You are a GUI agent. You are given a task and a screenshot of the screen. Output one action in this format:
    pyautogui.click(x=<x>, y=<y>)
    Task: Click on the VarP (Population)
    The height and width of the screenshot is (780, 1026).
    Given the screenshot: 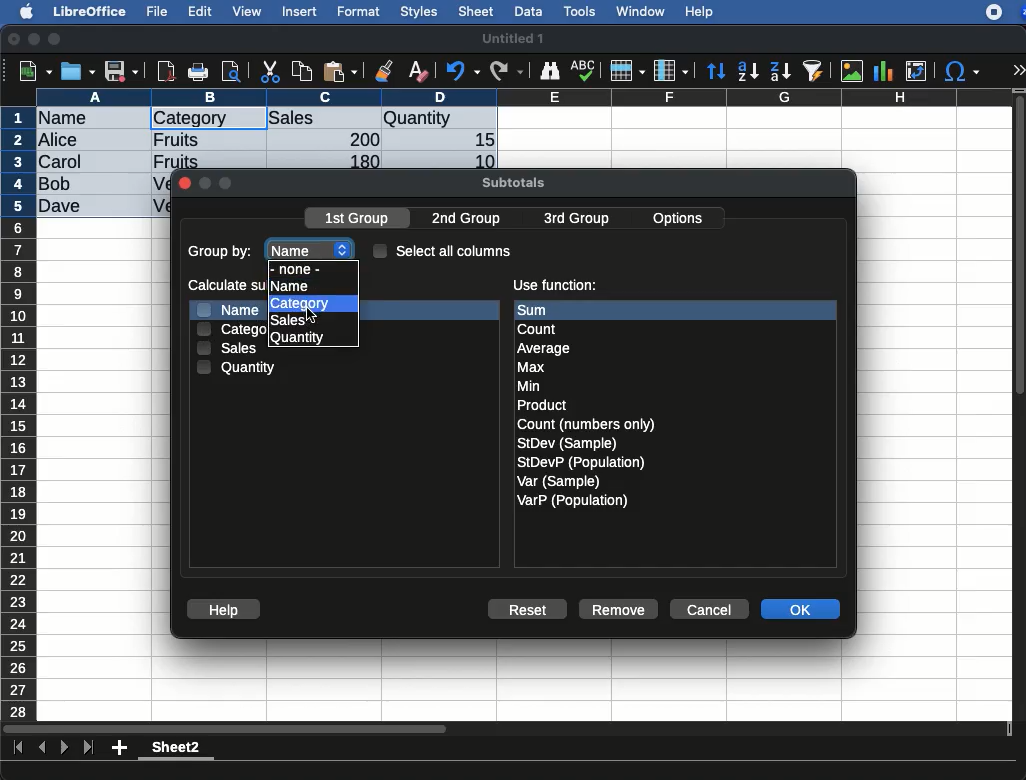 What is the action you would take?
    pyautogui.click(x=572, y=501)
    